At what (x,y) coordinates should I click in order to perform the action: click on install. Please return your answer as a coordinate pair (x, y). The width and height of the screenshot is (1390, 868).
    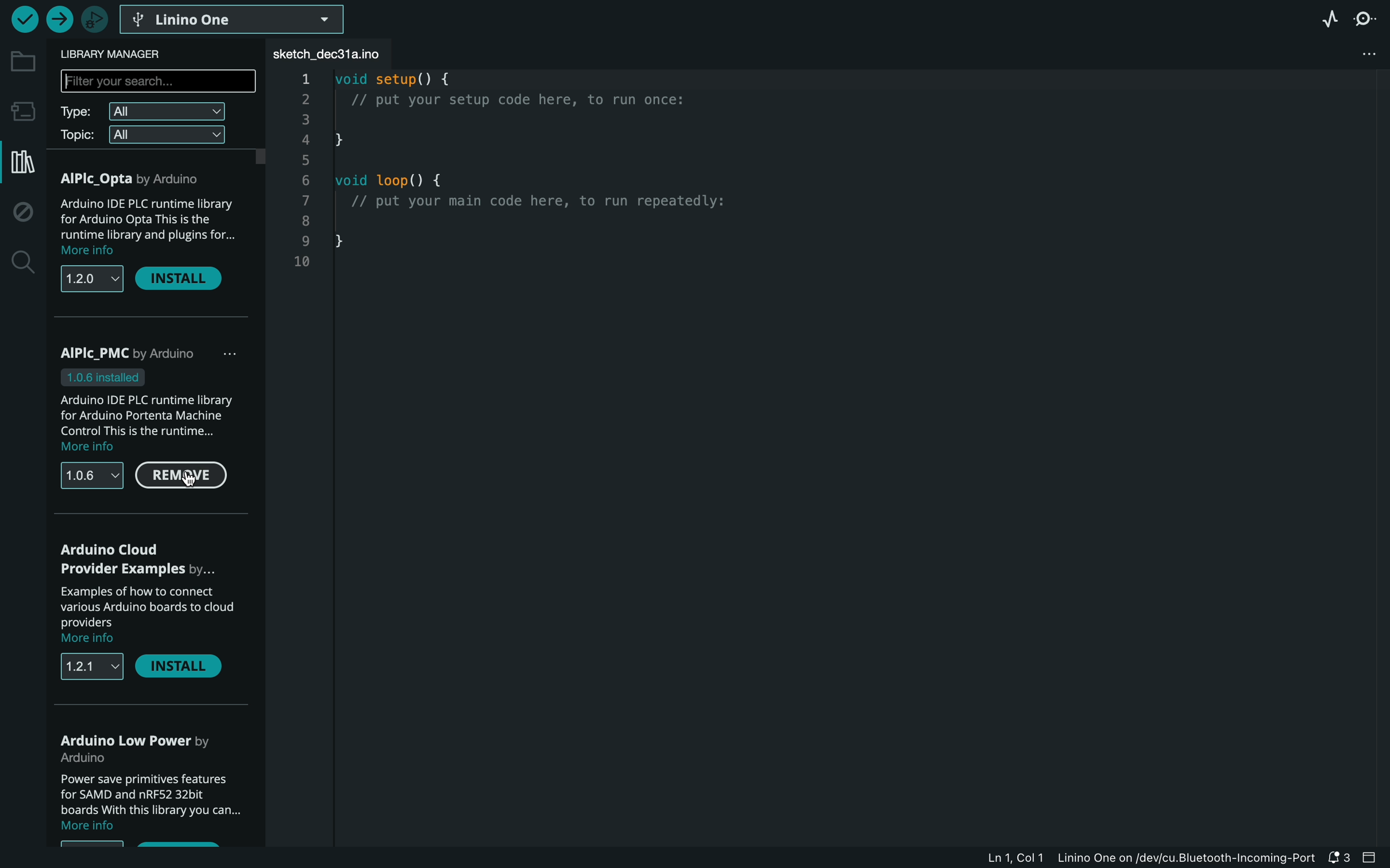
    Looking at the image, I should click on (186, 279).